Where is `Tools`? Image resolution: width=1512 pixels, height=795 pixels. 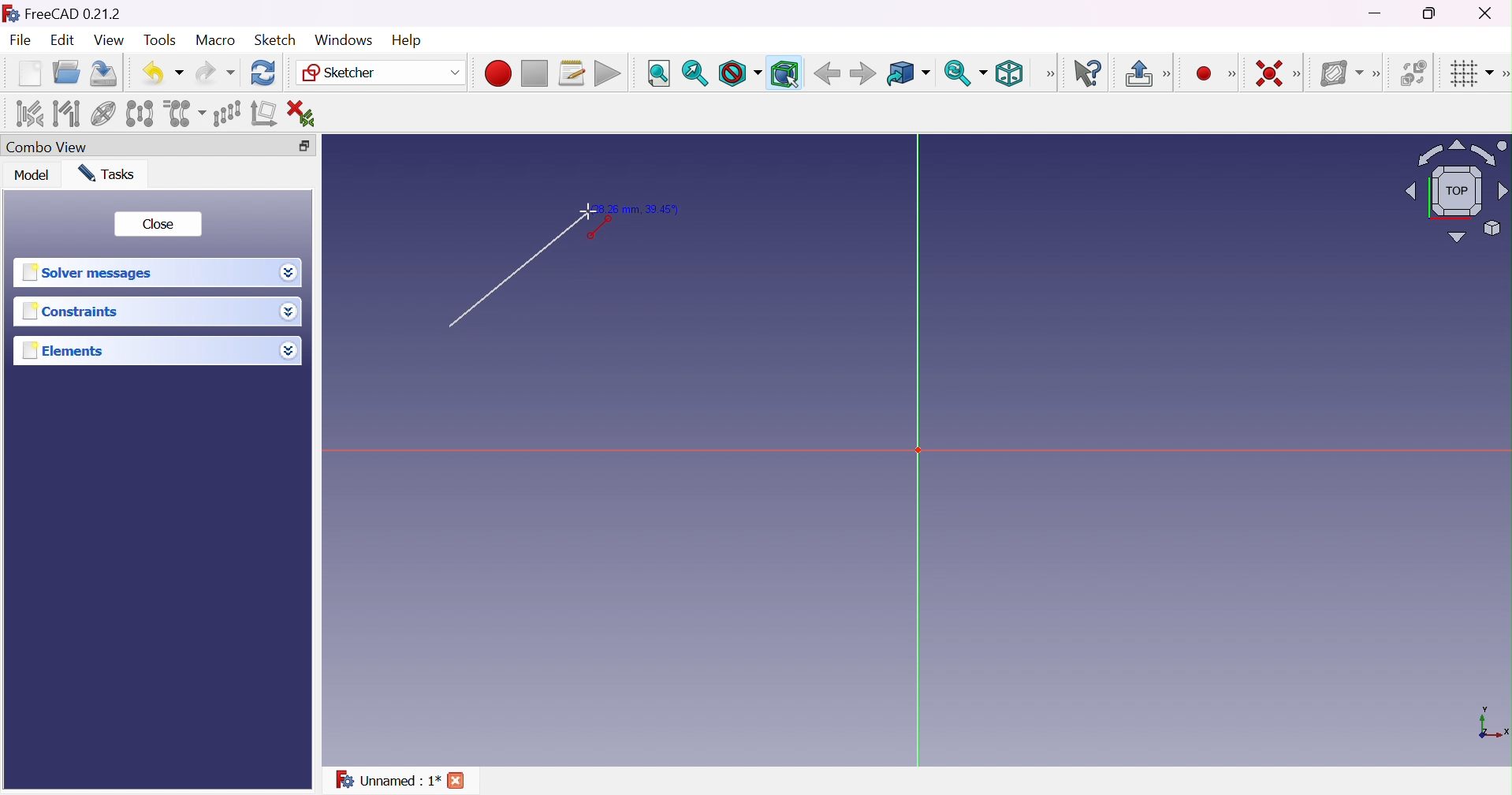
Tools is located at coordinates (159, 41).